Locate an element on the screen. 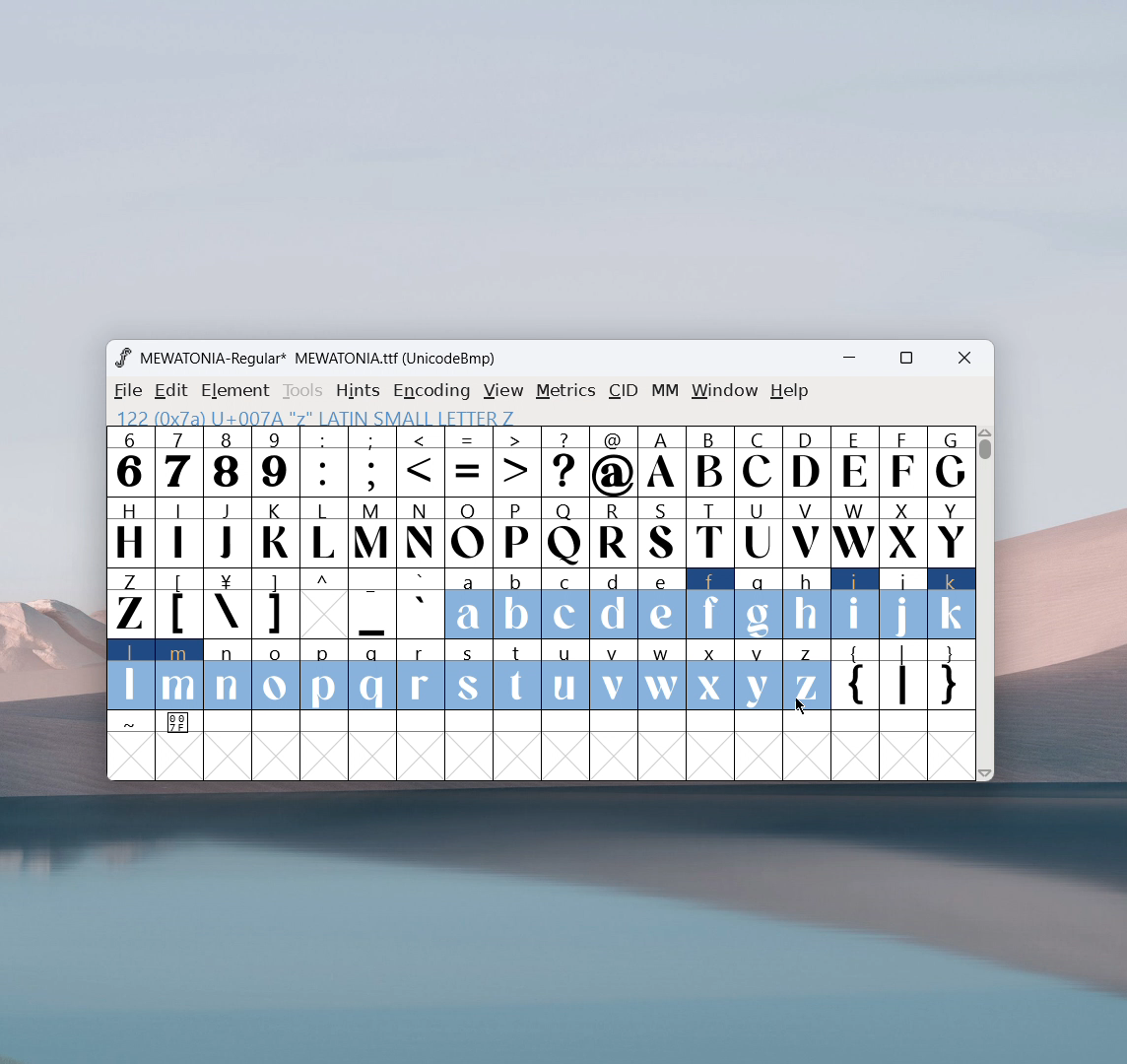 The image size is (1127, 1064). h is located at coordinates (805, 601).